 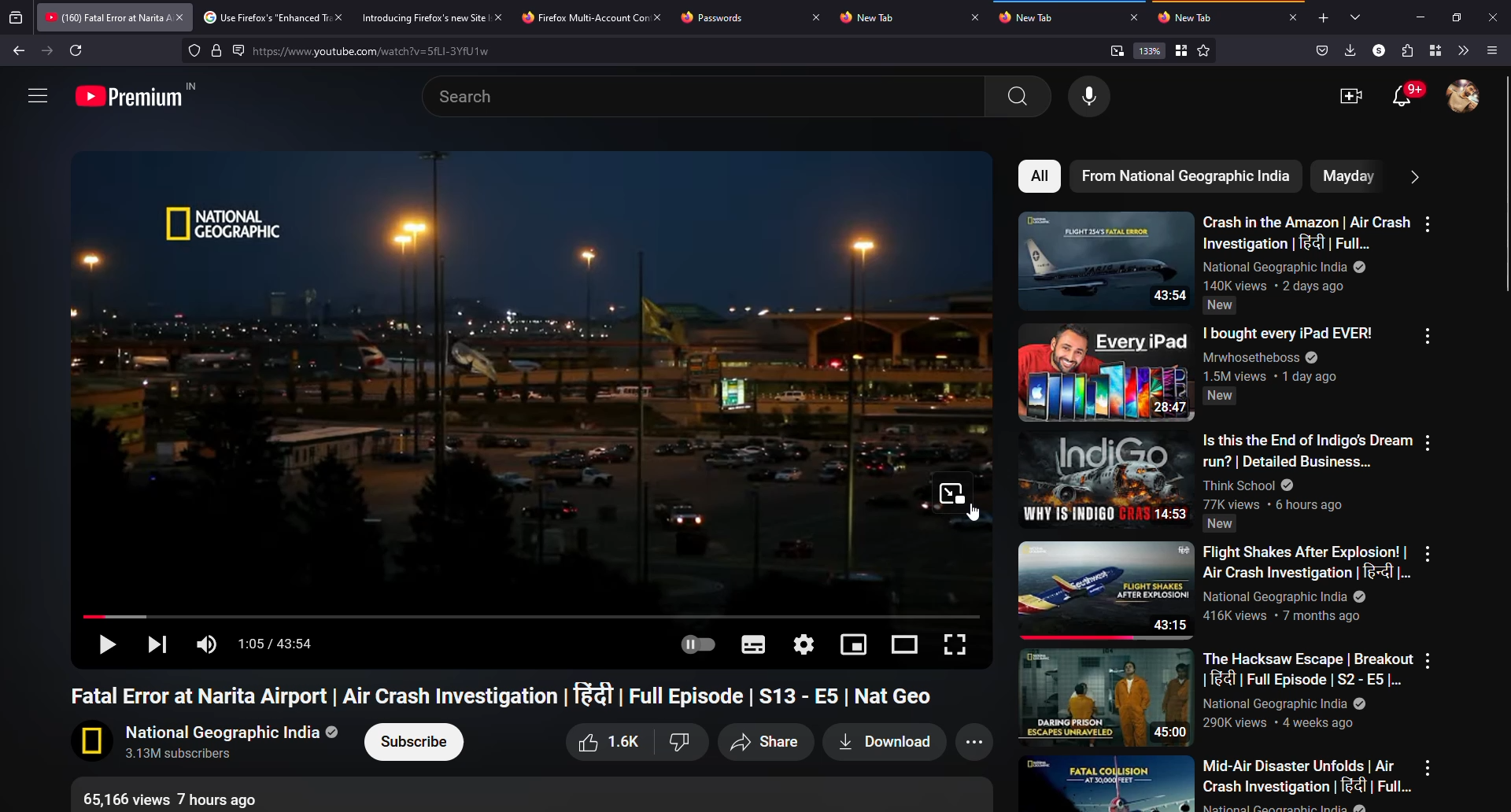 What do you see at coordinates (763, 743) in the screenshot?
I see `share` at bounding box center [763, 743].